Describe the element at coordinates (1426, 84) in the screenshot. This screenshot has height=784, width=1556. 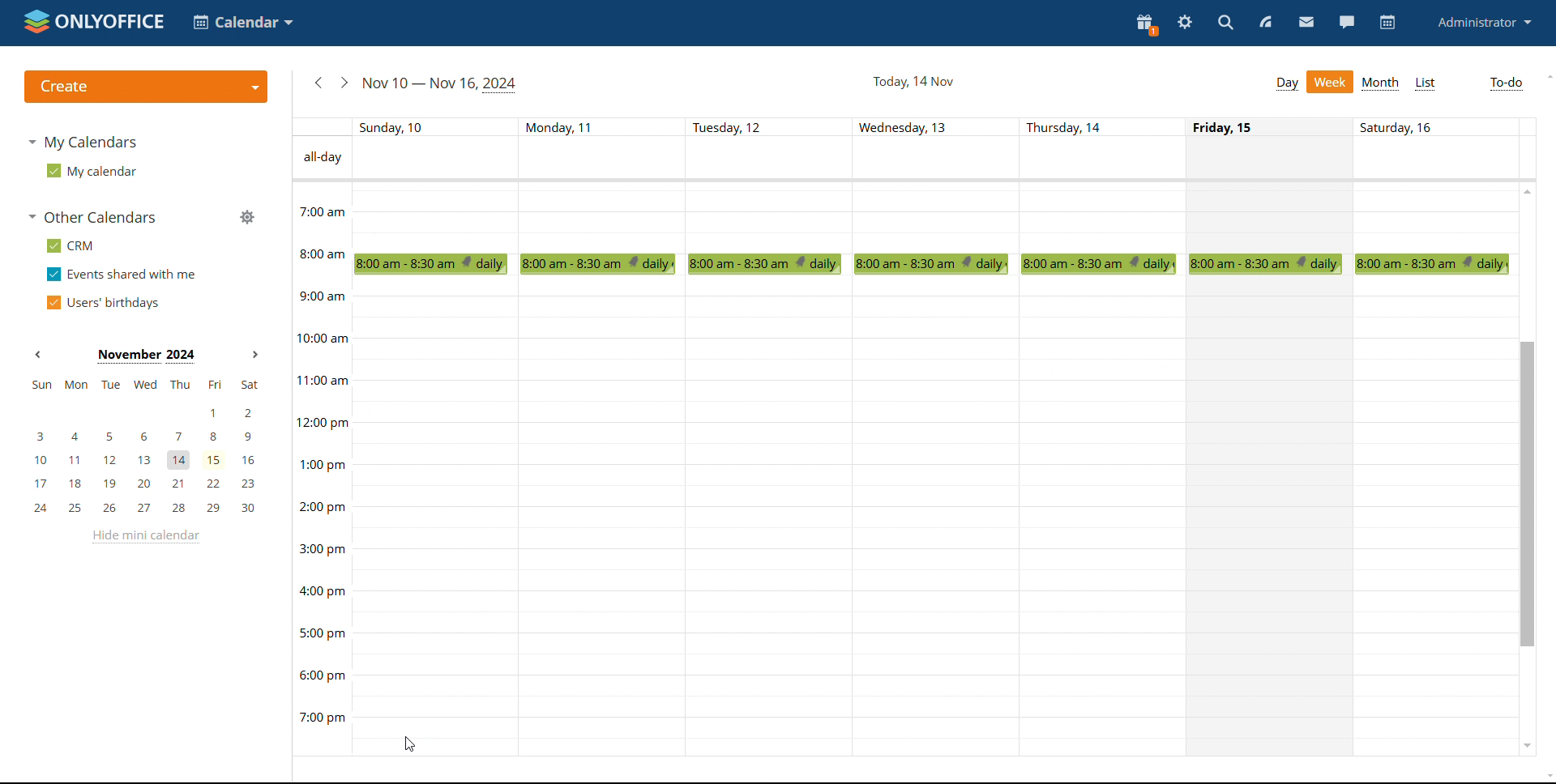
I see `list view` at that location.